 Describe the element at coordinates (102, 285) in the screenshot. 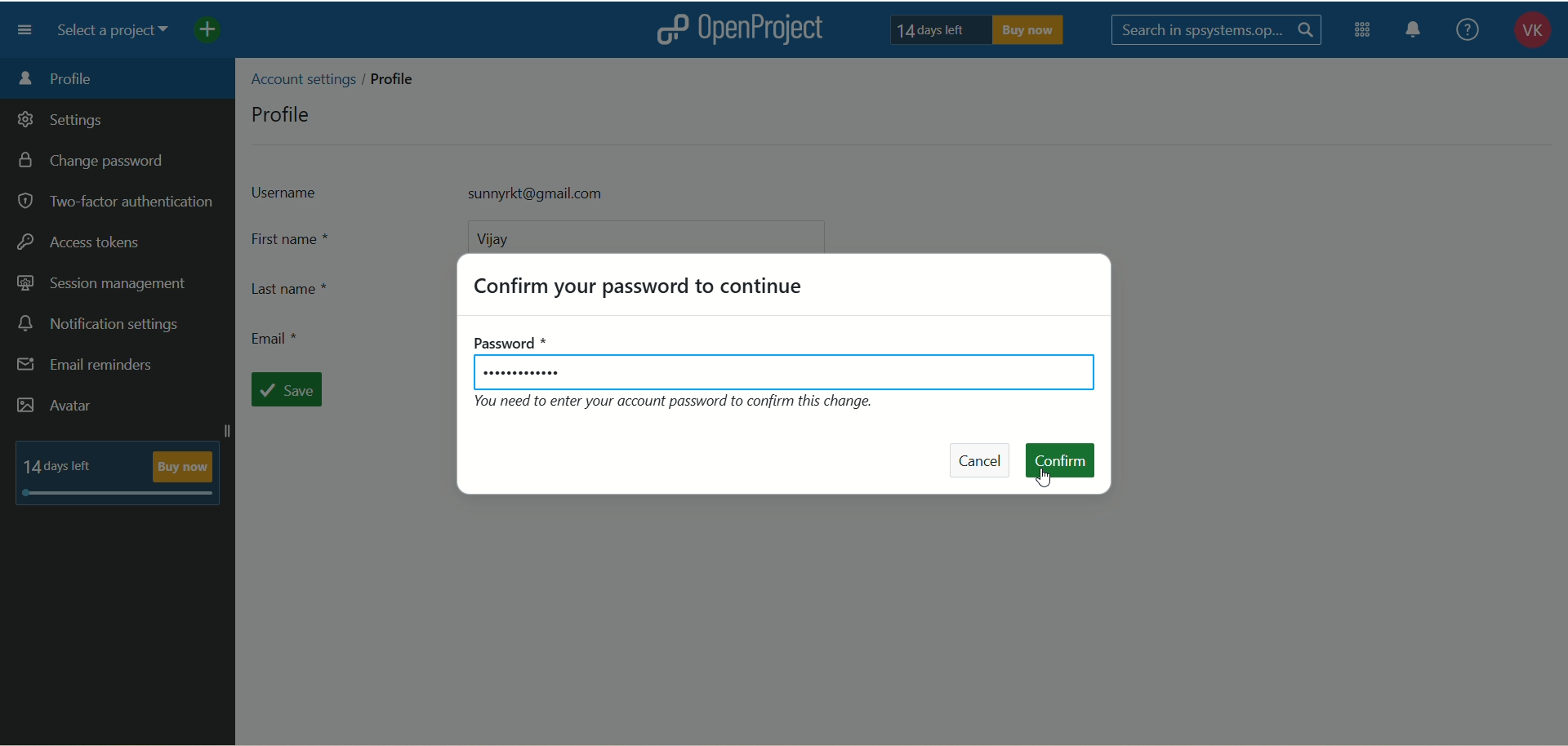

I see `session management` at that location.